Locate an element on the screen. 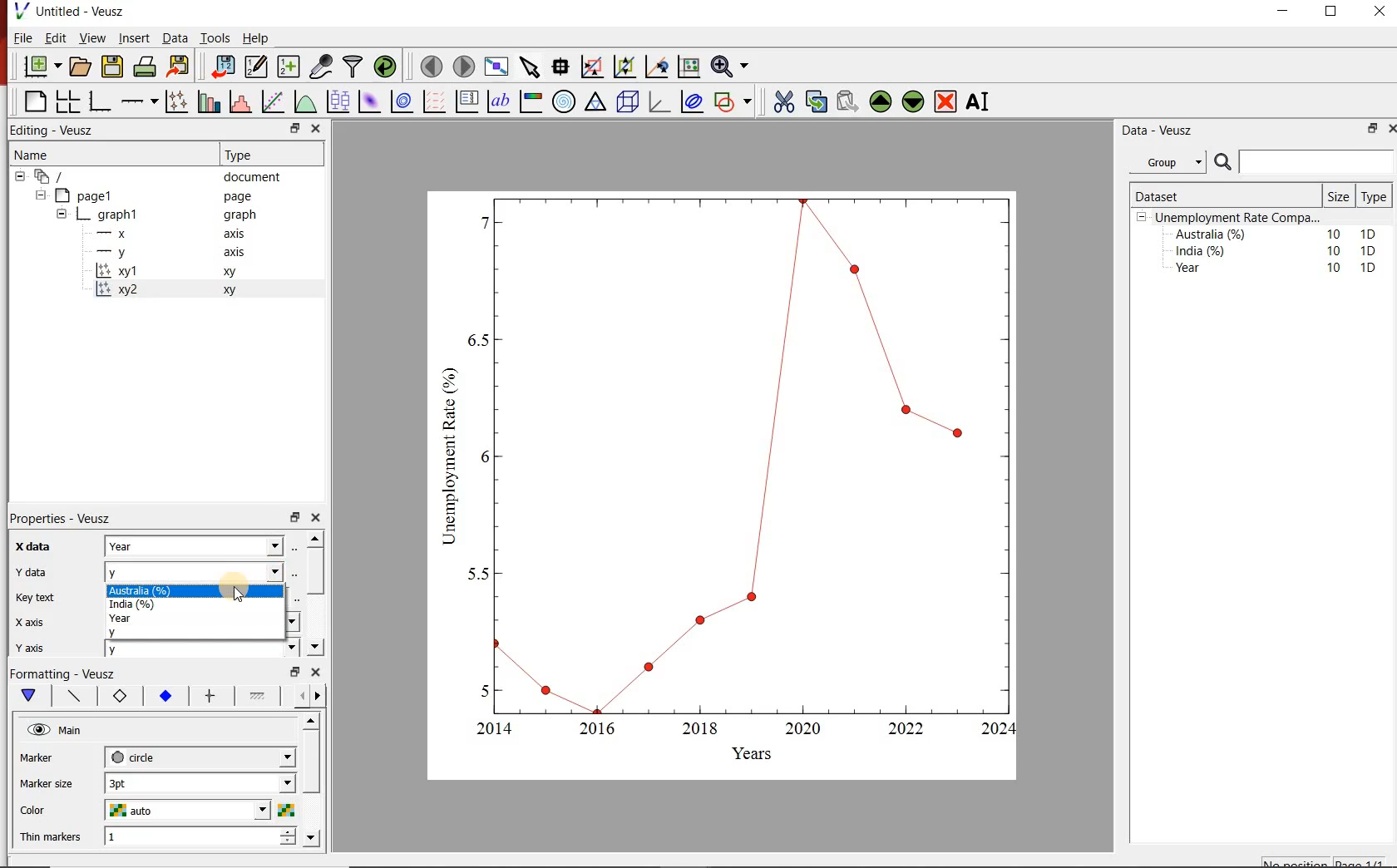 The height and width of the screenshot is (868, 1397). move down is located at coordinates (311, 838).